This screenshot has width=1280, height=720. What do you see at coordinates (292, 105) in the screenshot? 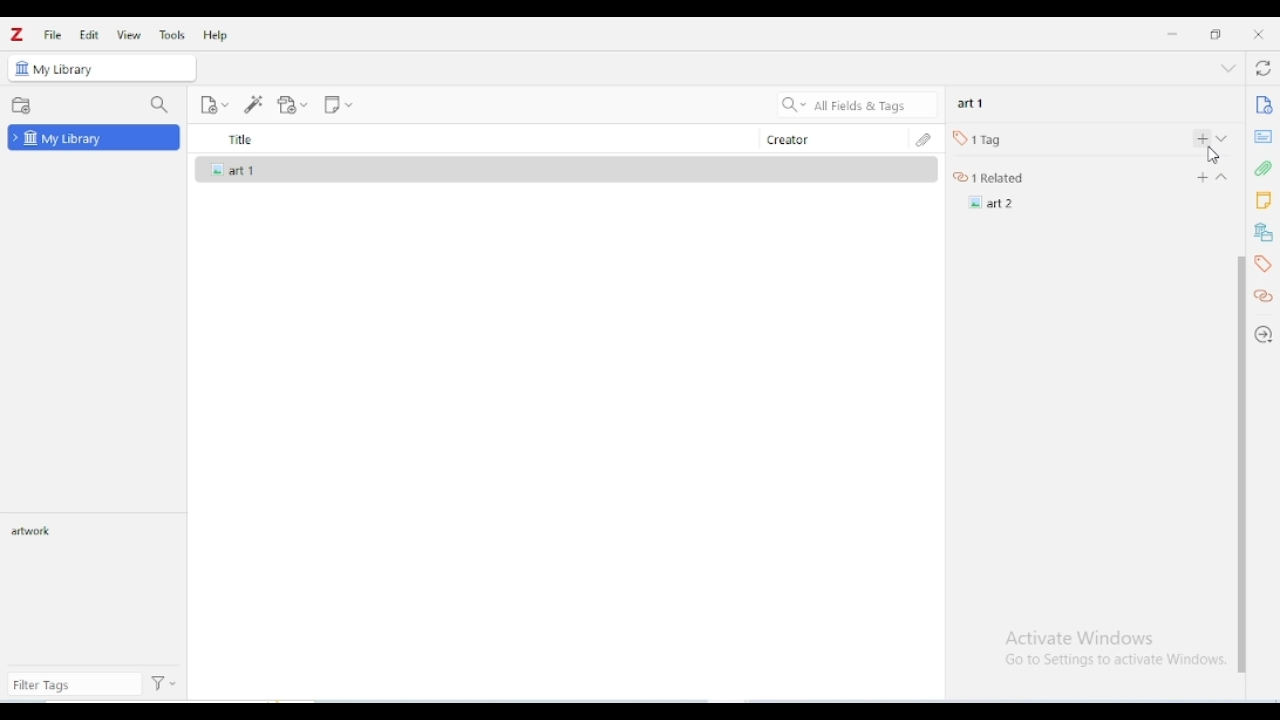
I see `add attachment` at bounding box center [292, 105].